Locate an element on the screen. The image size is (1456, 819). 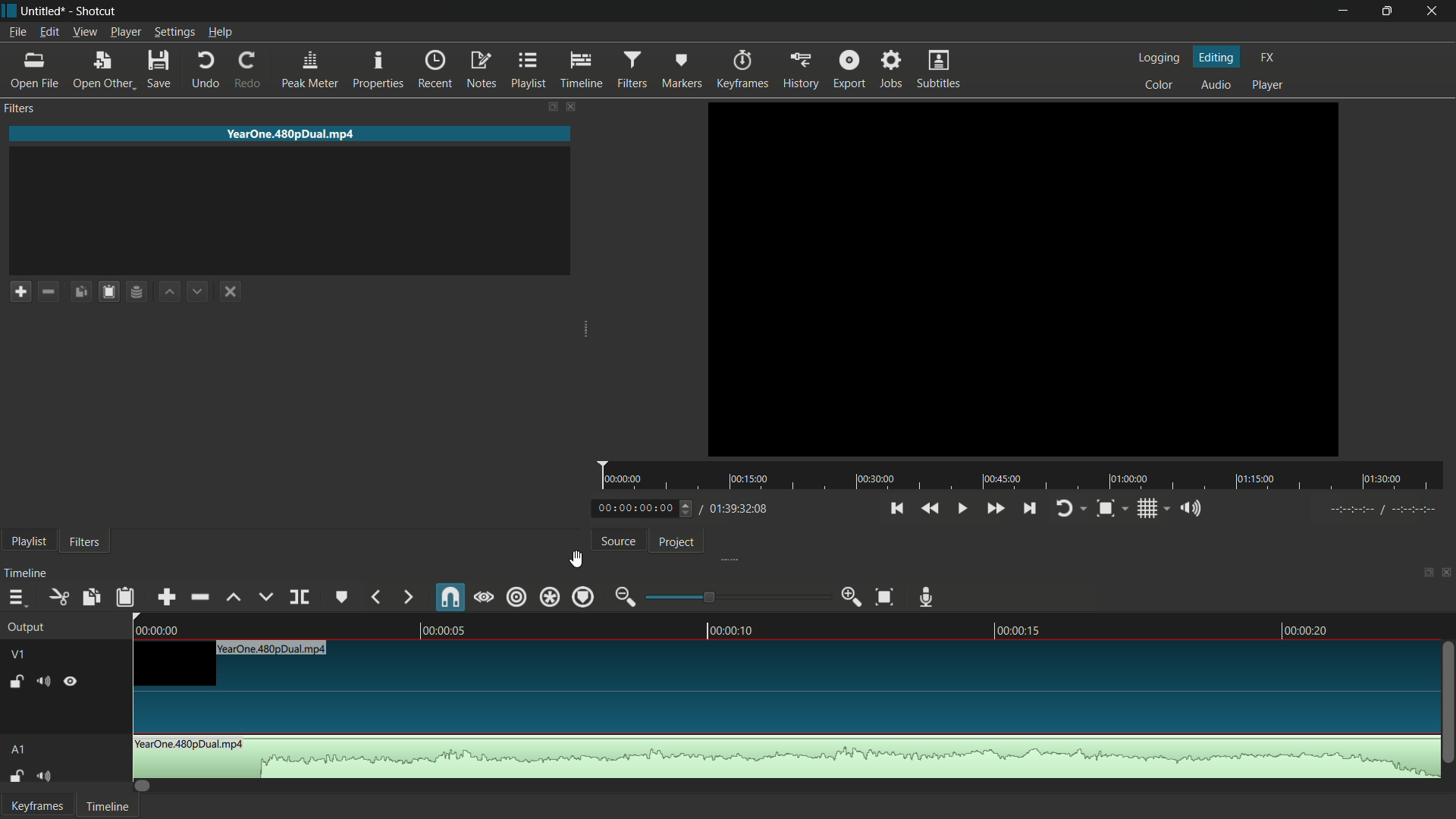
ripple markers is located at coordinates (581, 597).